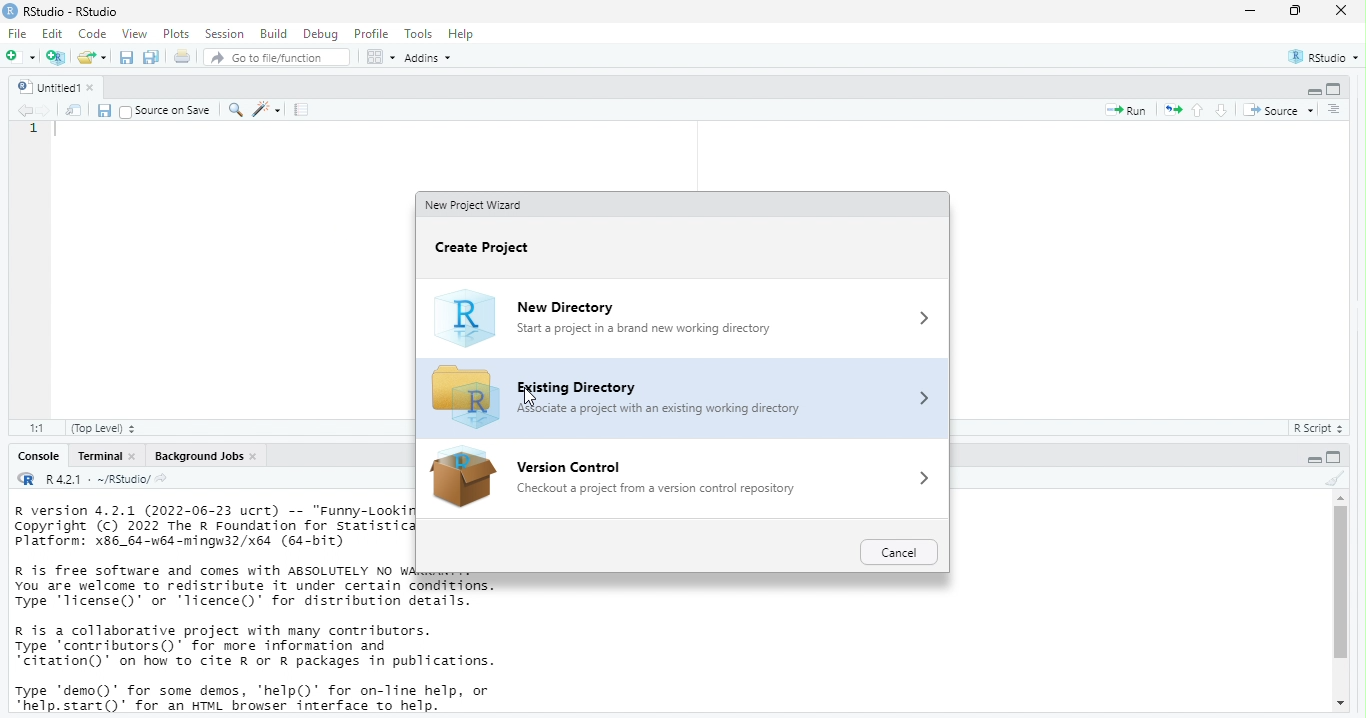 The width and height of the screenshot is (1366, 718). What do you see at coordinates (41, 85) in the screenshot?
I see `untitled` at bounding box center [41, 85].